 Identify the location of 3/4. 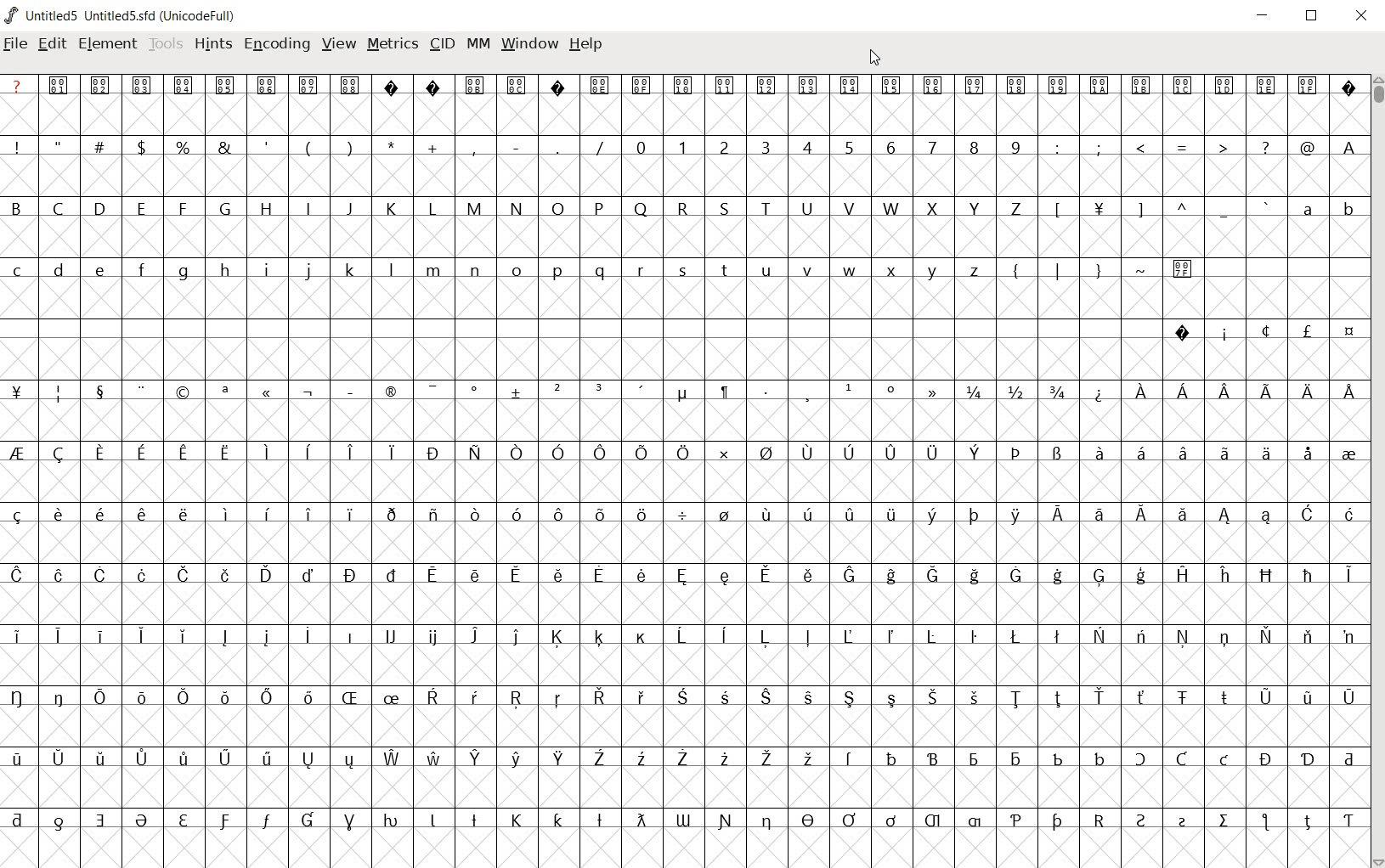
(1055, 392).